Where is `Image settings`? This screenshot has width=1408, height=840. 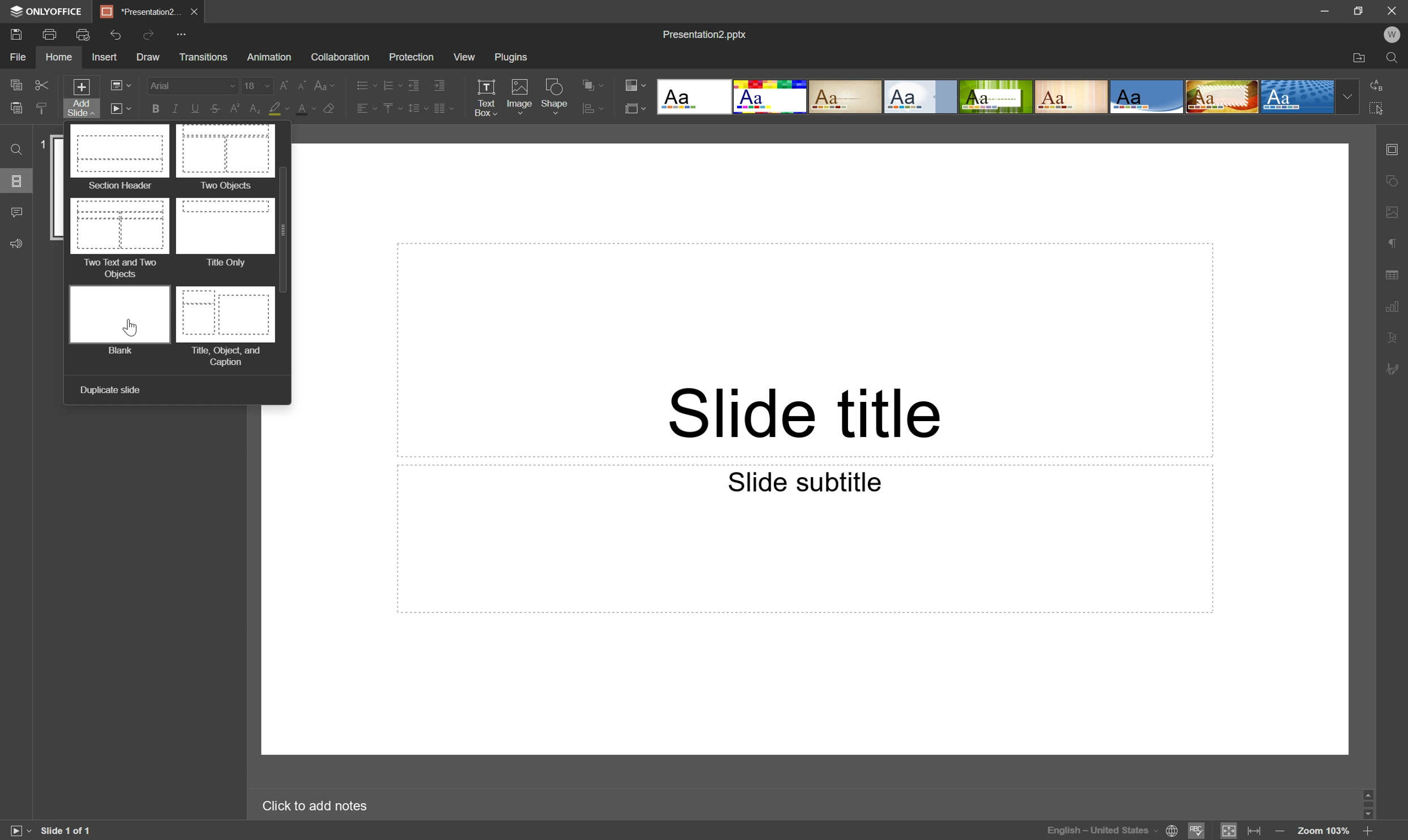 Image settings is located at coordinates (1395, 207).